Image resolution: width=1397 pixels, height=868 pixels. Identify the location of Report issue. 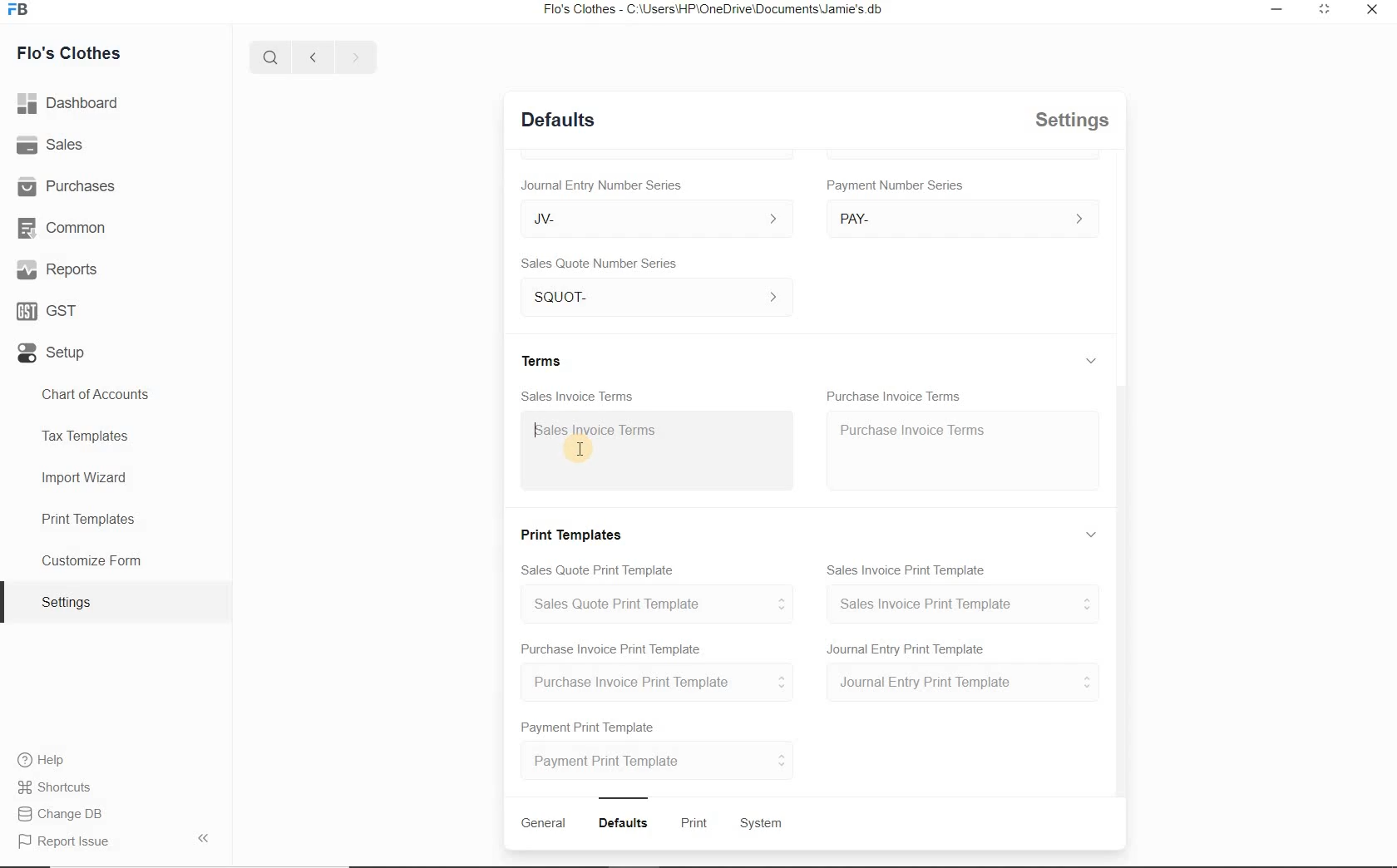
(65, 842).